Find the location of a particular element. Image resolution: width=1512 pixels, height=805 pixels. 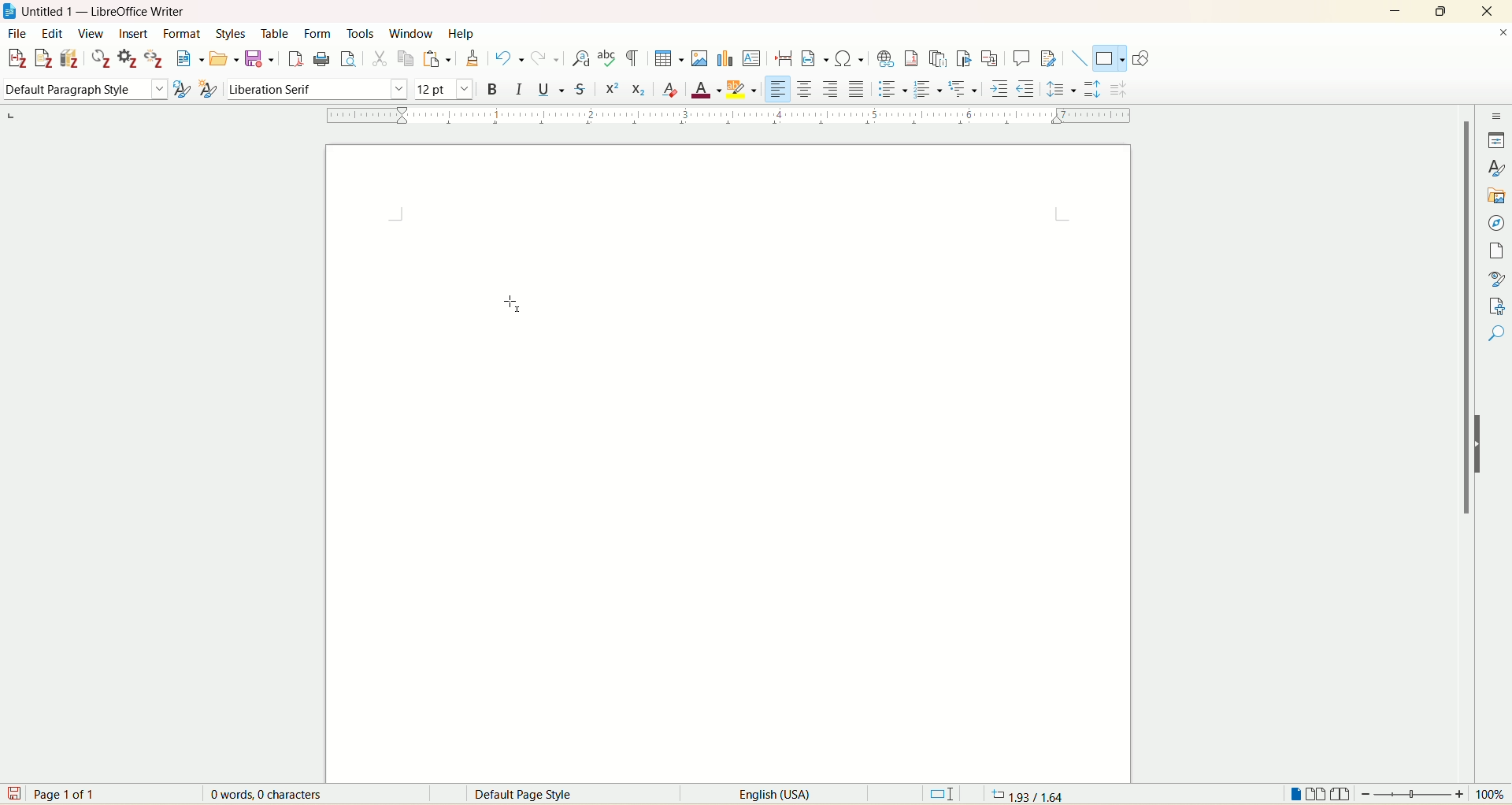

insert line is located at coordinates (1079, 58).